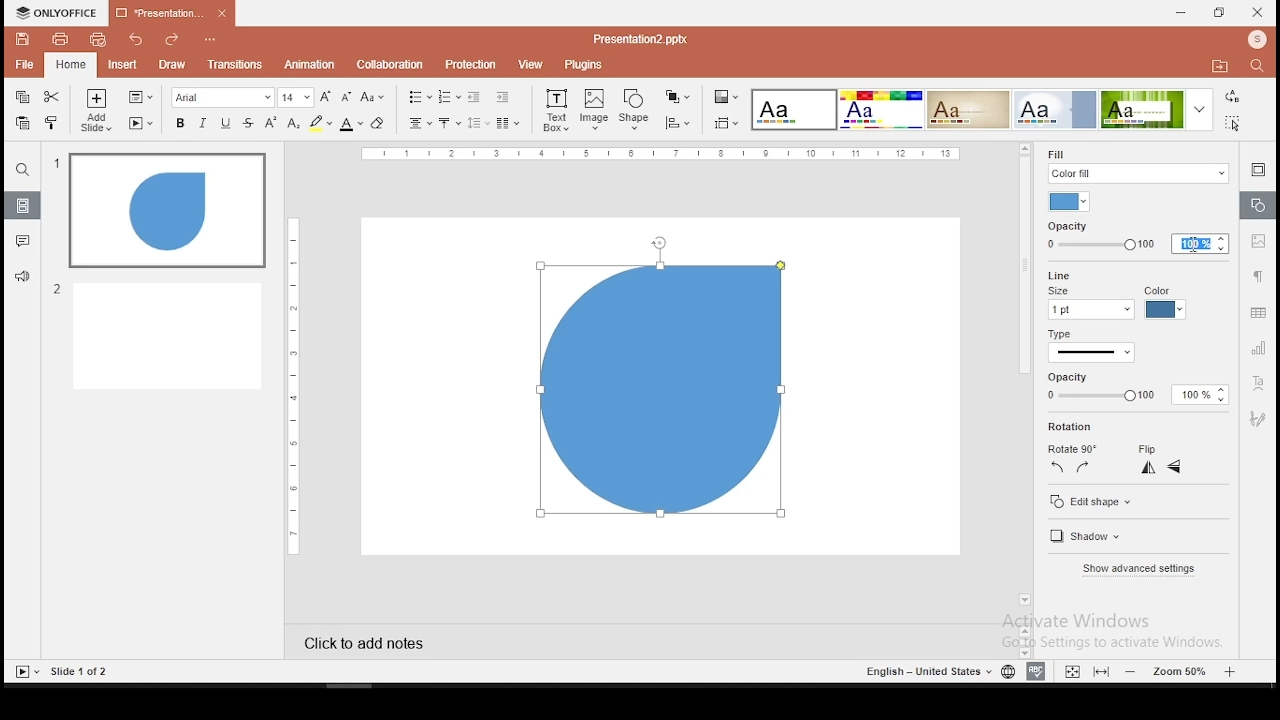 This screenshot has height=720, width=1280. Describe the element at coordinates (96, 112) in the screenshot. I see `add slide` at that location.